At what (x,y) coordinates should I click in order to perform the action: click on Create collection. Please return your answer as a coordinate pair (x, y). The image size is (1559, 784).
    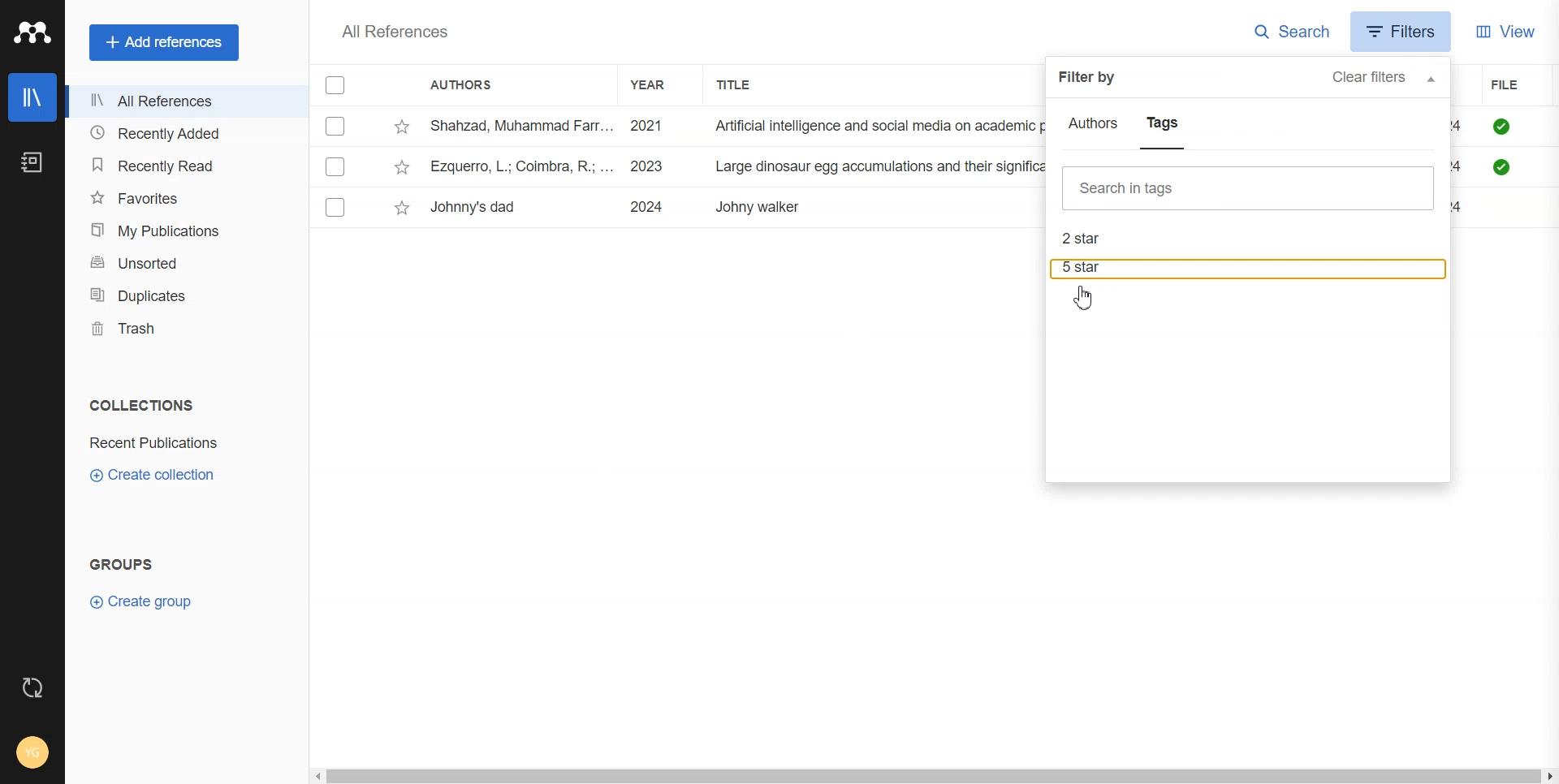
    Looking at the image, I should click on (153, 474).